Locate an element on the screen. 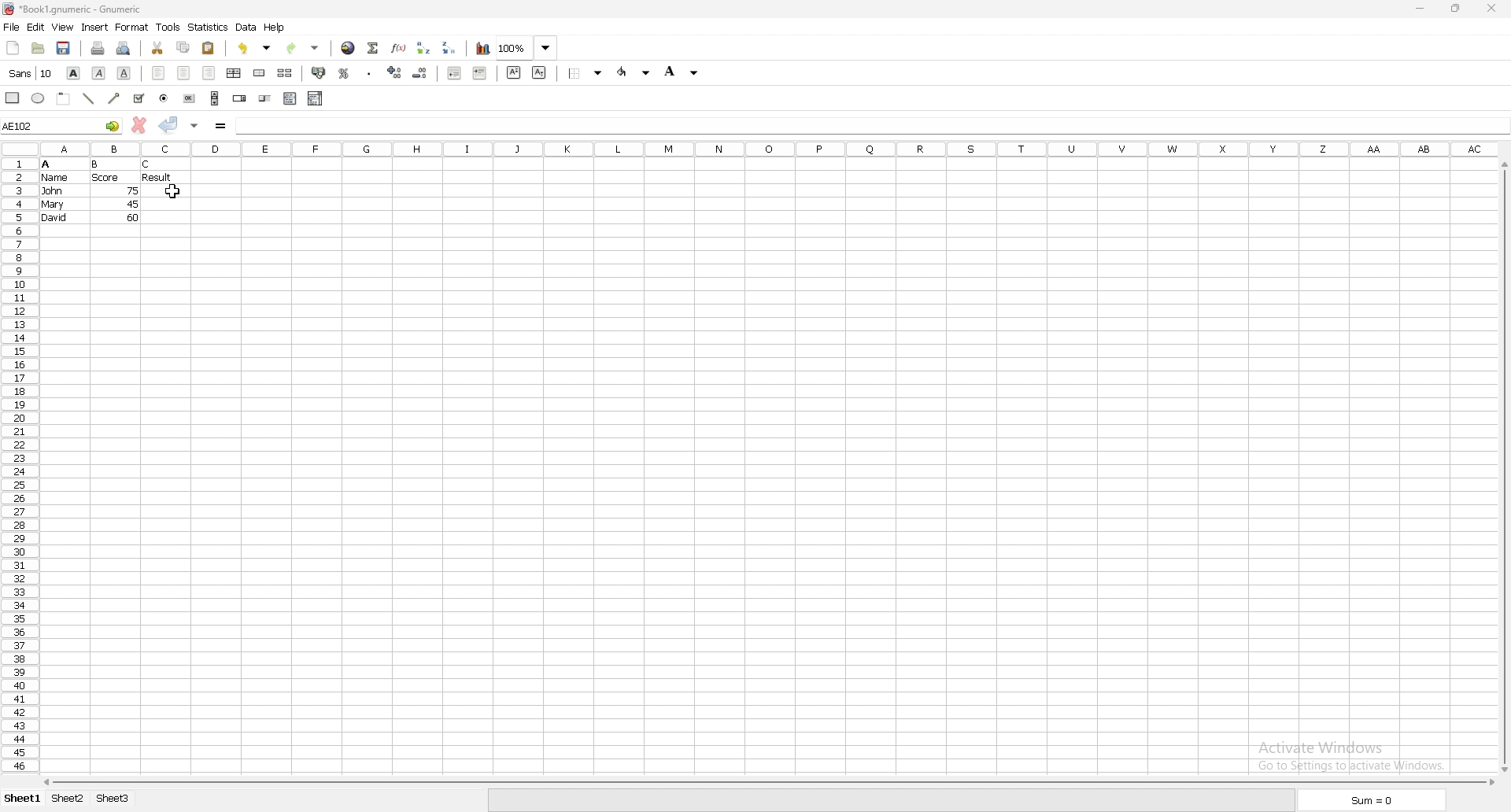 The height and width of the screenshot is (812, 1511). spin button is located at coordinates (241, 98).